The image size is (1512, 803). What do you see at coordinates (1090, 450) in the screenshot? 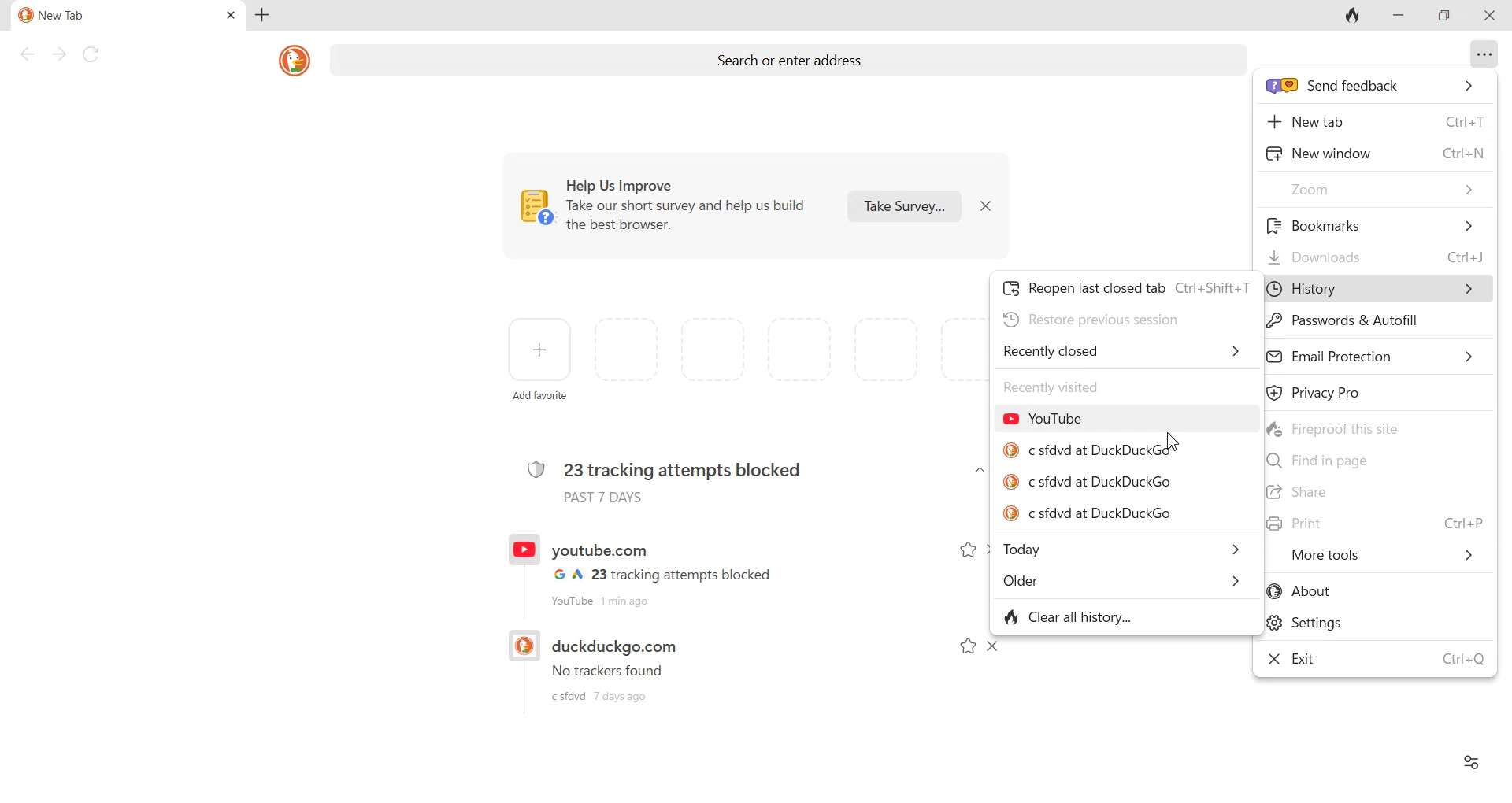
I see `c sfdvd at DuckDuckGo` at bounding box center [1090, 450].